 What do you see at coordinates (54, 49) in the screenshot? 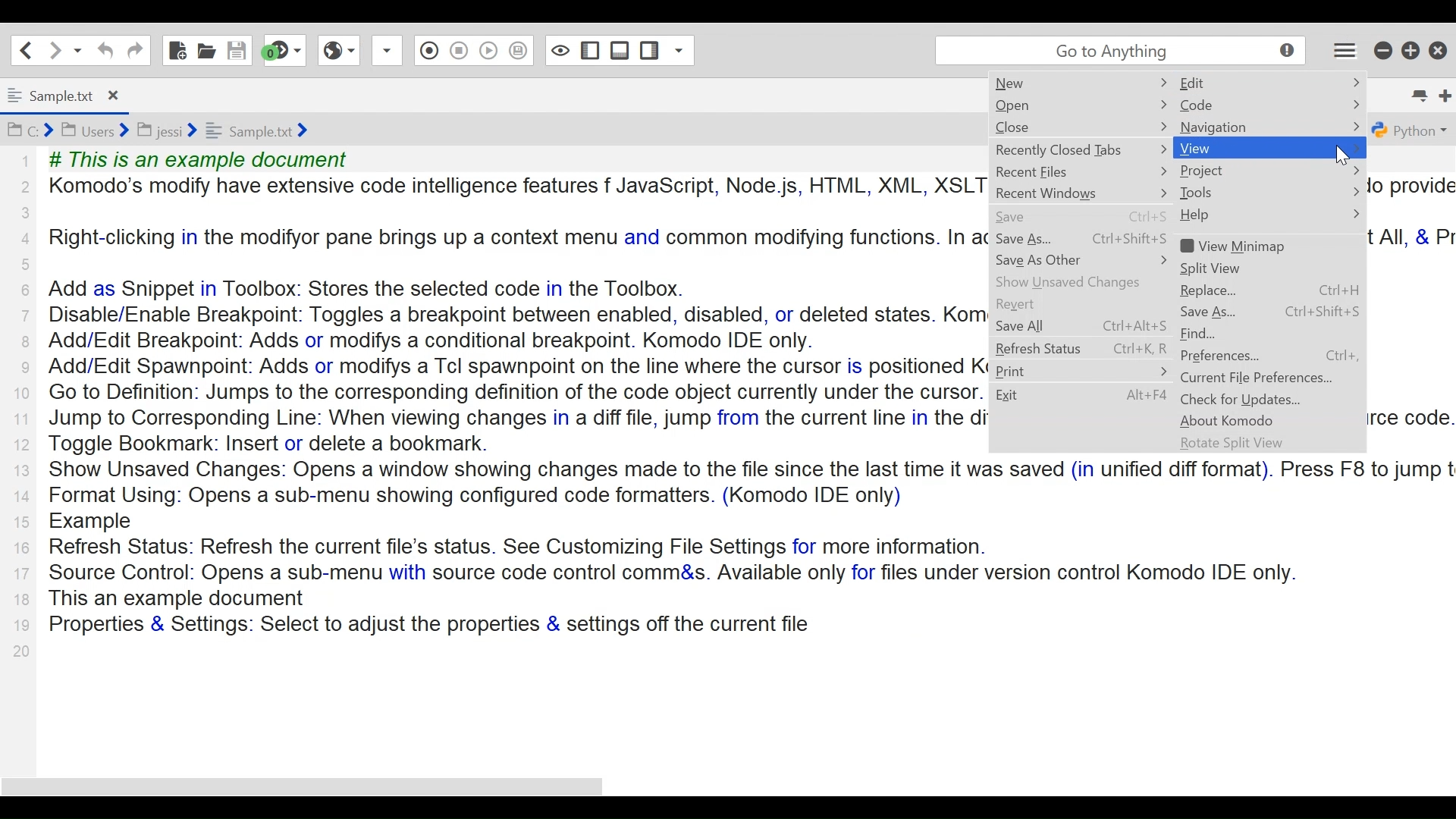
I see `Go forward one location` at bounding box center [54, 49].